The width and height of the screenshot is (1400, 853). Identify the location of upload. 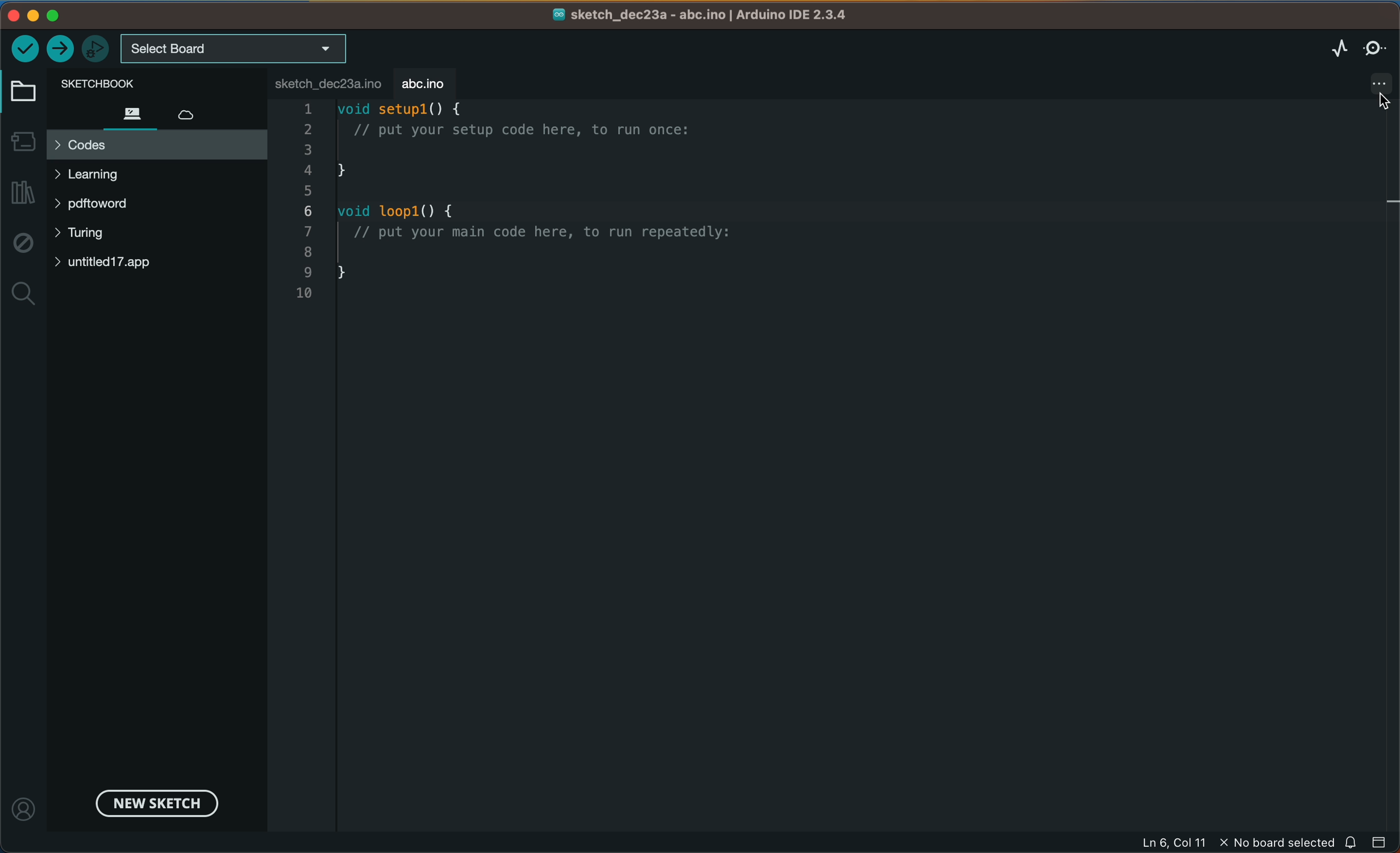
(58, 49).